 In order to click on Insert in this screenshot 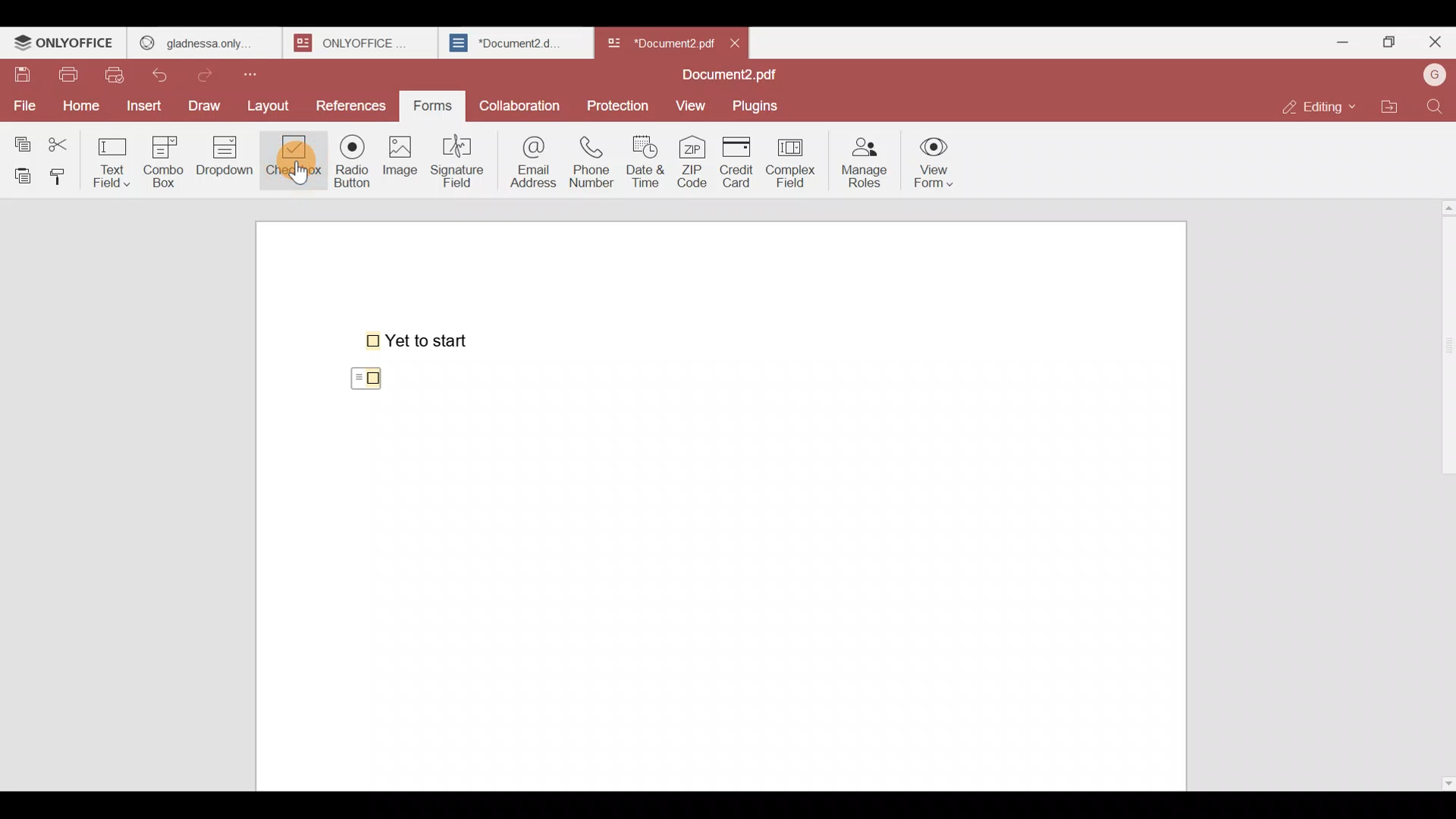, I will do `click(142, 105)`.